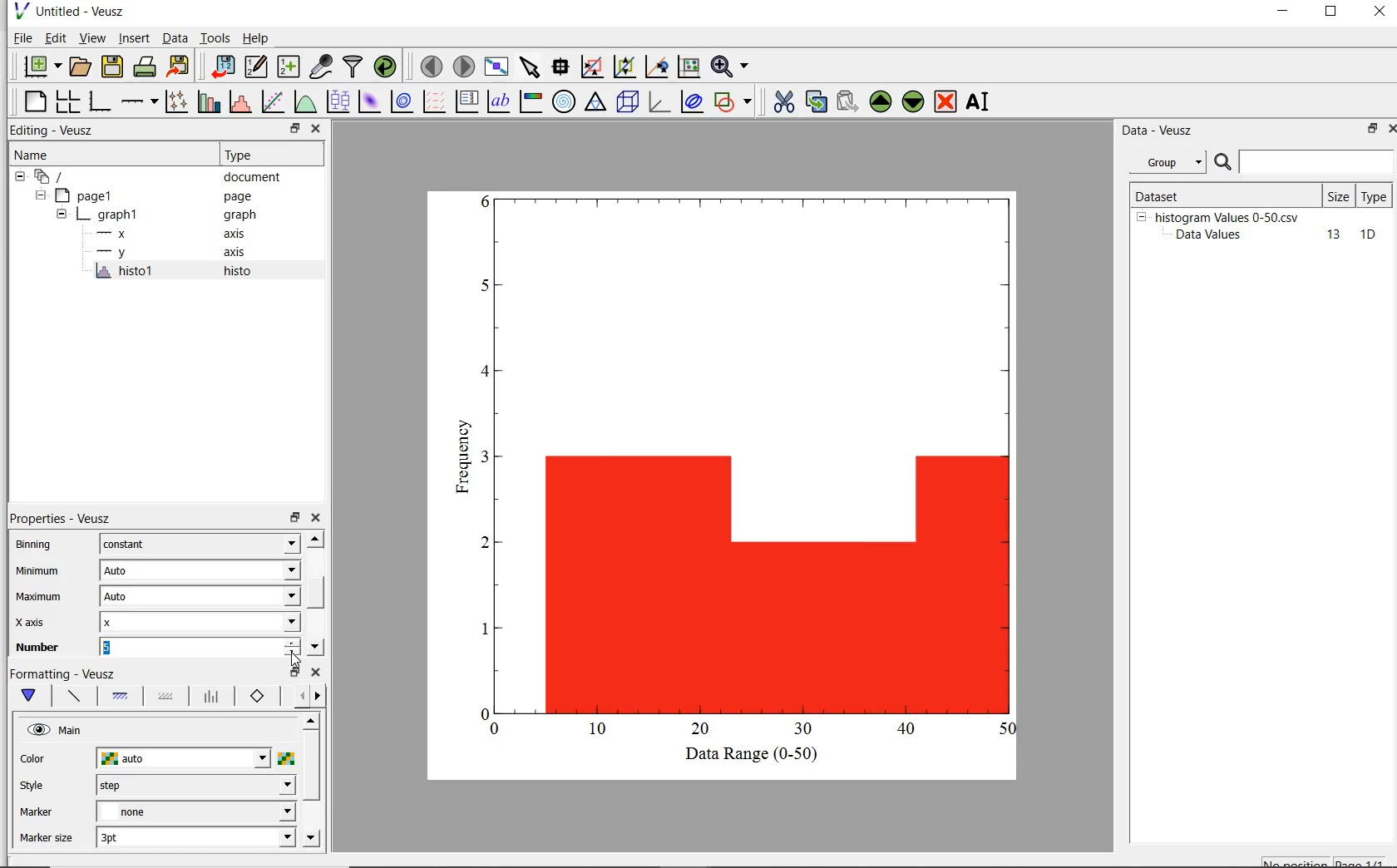 This screenshot has width=1397, height=868. What do you see at coordinates (212, 697) in the screenshot?
I see `post line` at bounding box center [212, 697].